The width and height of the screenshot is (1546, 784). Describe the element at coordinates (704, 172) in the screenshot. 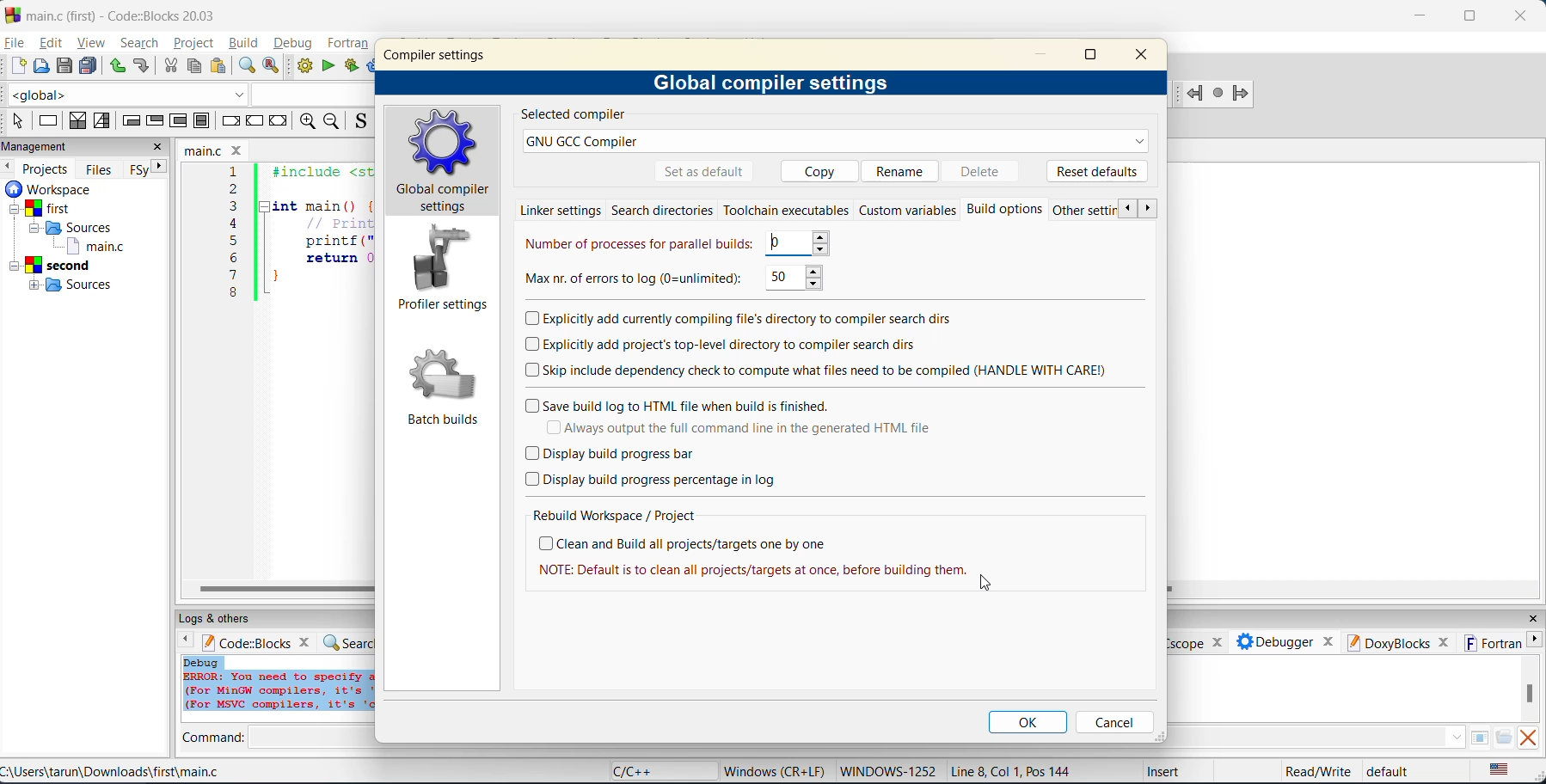

I see `set as default` at that location.